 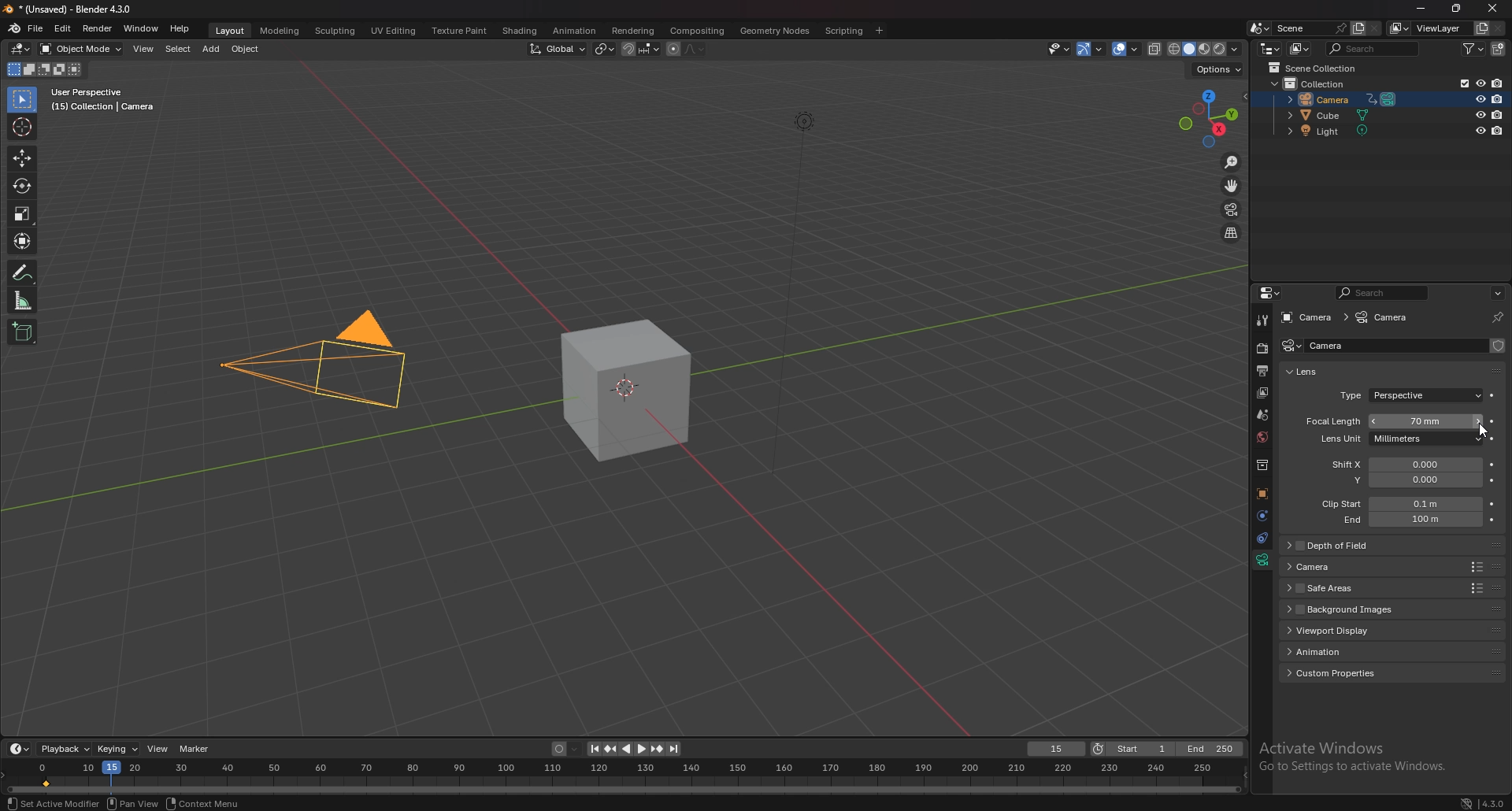 I want to click on file, so click(x=37, y=29).